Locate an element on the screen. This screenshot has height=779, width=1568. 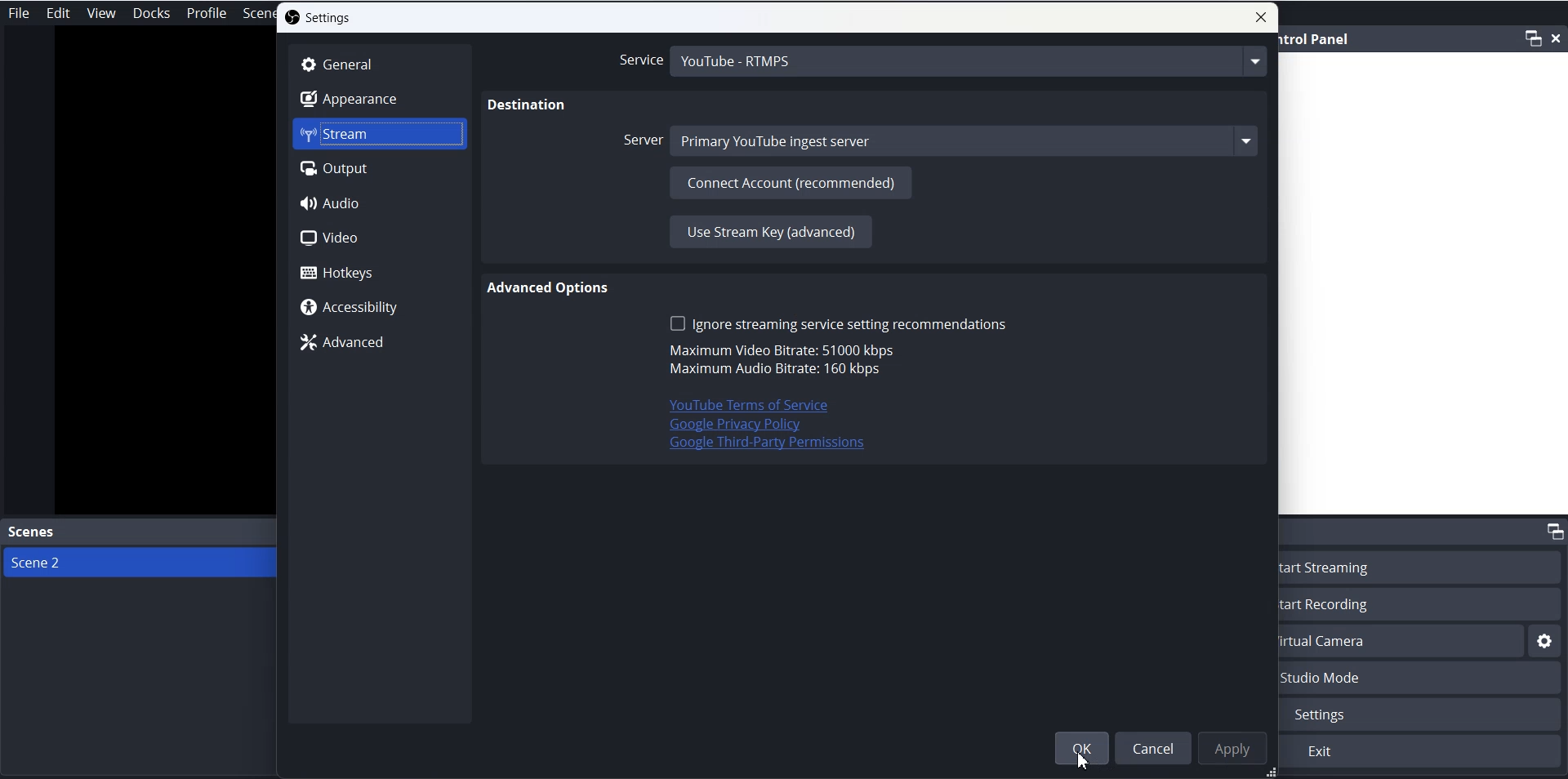
close is located at coordinates (1558, 37).